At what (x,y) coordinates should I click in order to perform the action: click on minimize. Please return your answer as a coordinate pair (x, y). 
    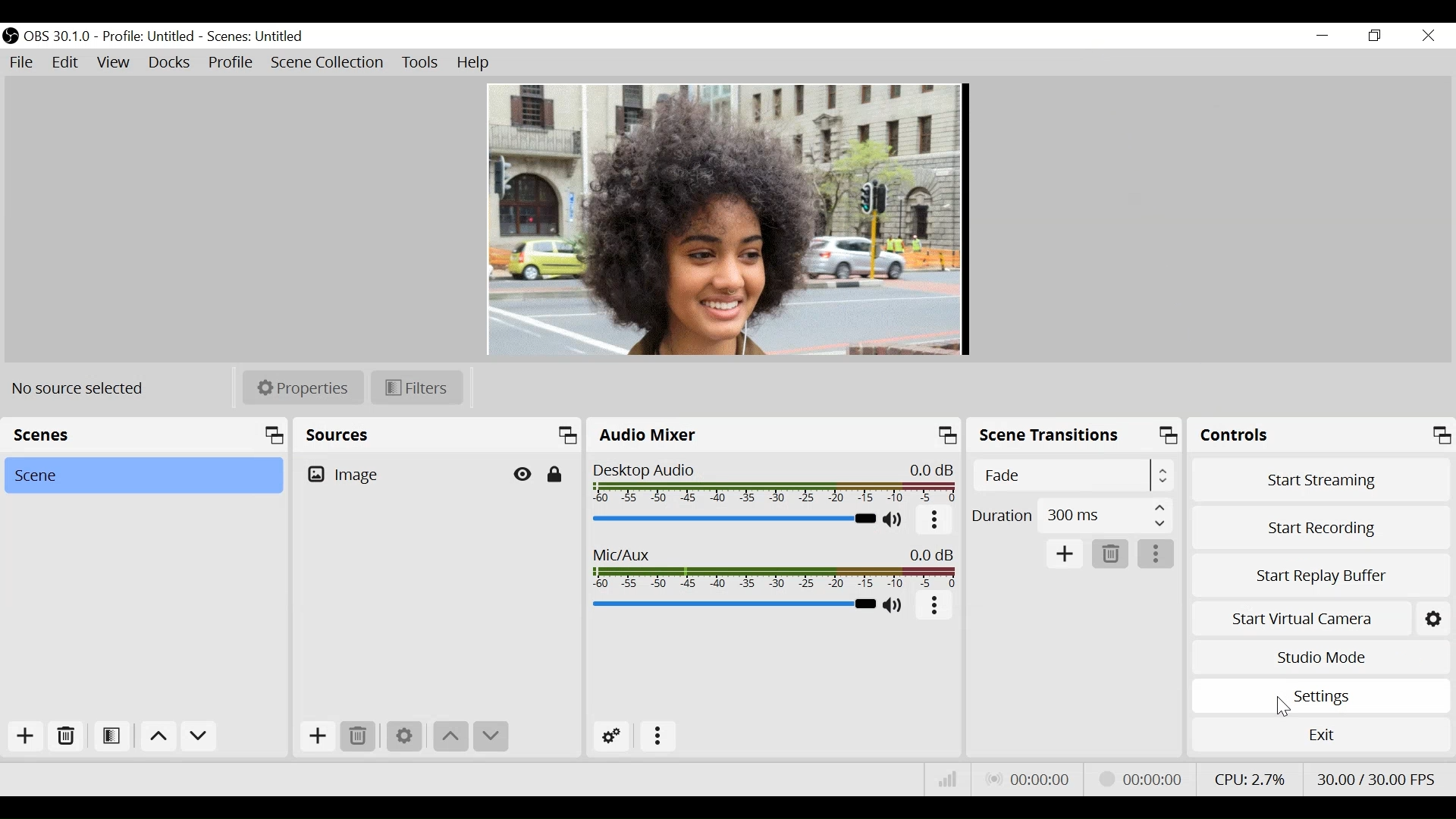
    Looking at the image, I should click on (1323, 36).